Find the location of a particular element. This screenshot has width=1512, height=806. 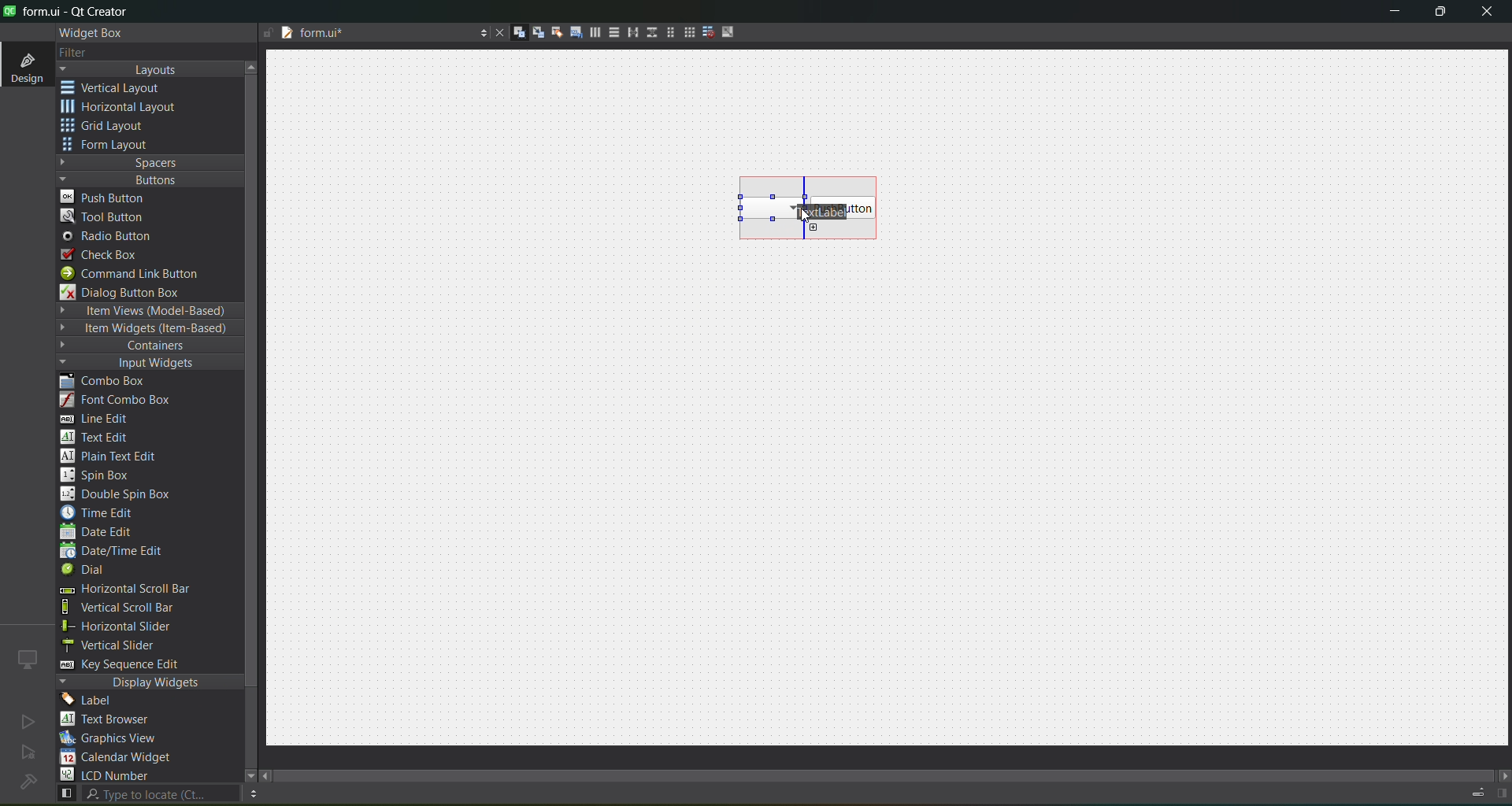

combo box is located at coordinates (114, 382).